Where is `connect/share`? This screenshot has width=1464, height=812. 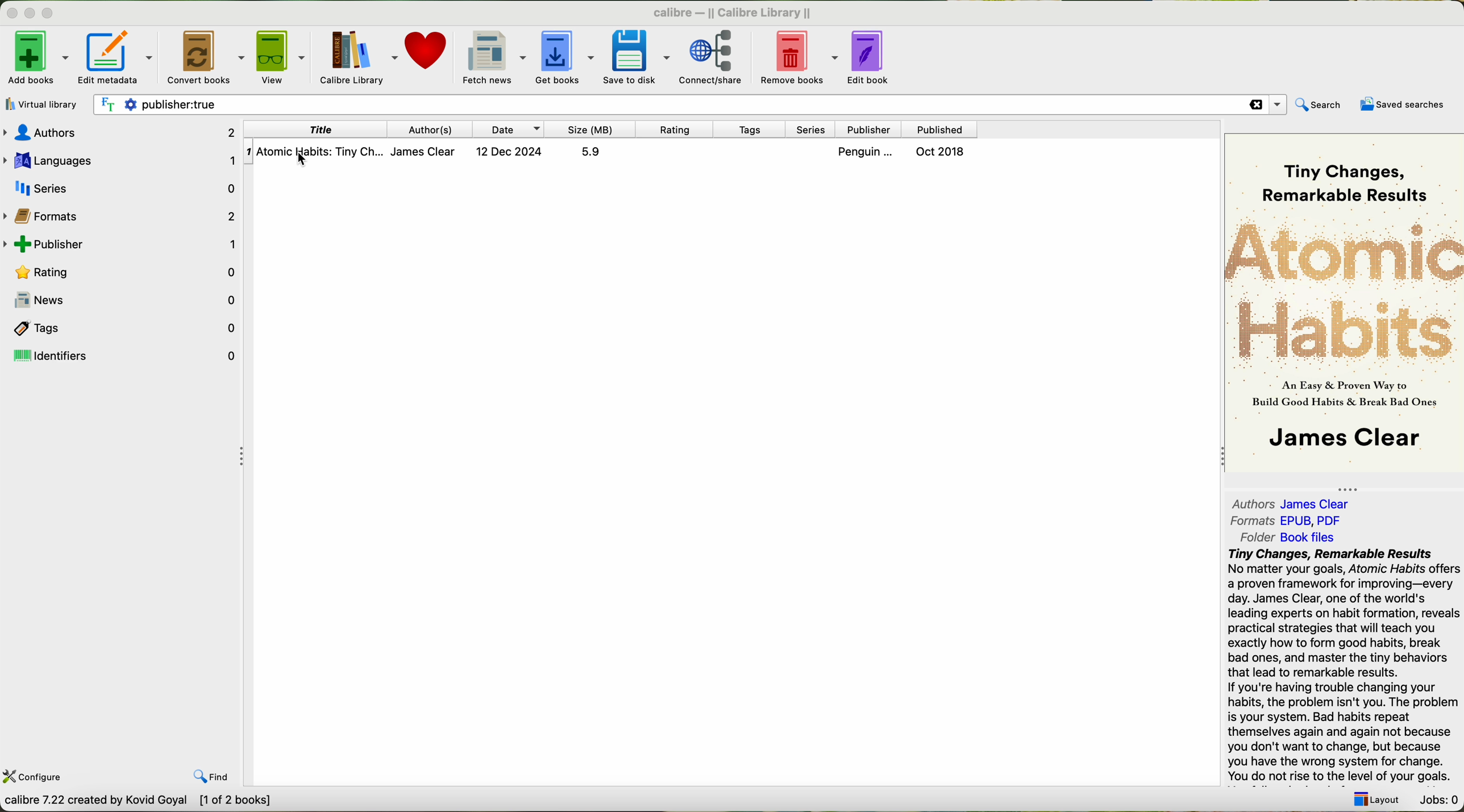 connect/share is located at coordinates (714, 56).